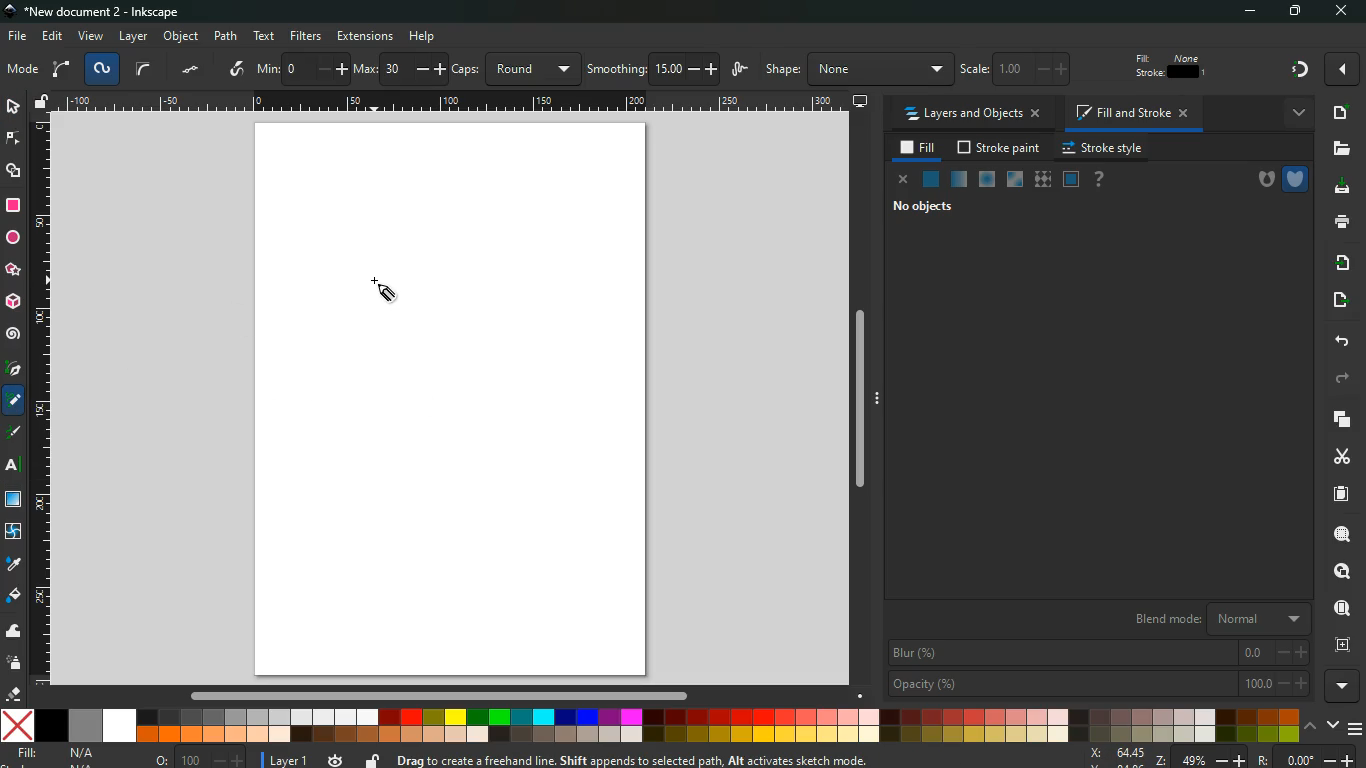 The height and width of the screenshot is (768, 1366). What do you see at coordinates (371, 759) in the screenshot?
I see `unlock` at bounding box center [371, 759].